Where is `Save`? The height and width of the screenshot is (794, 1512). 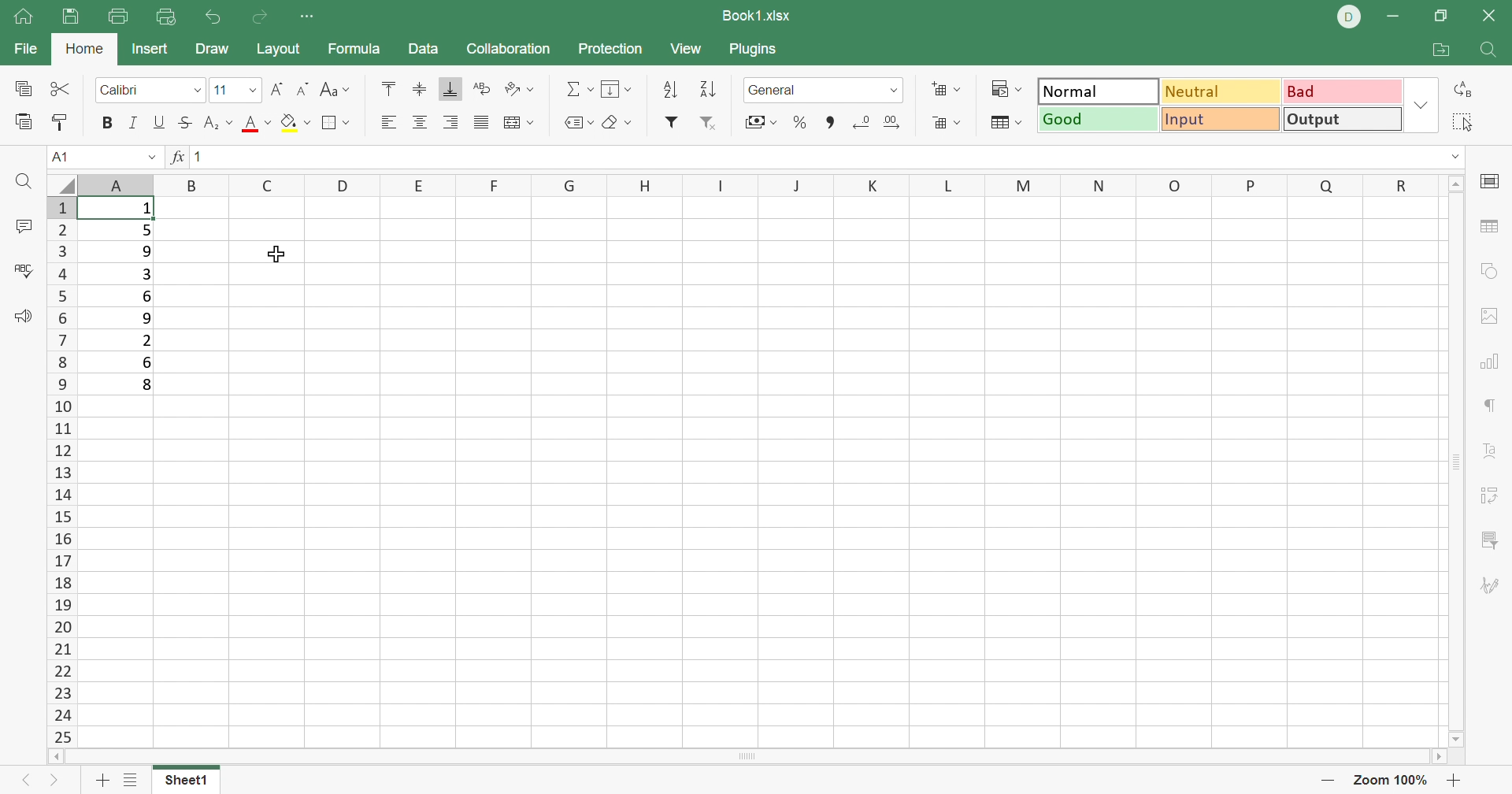 Save is located at coordinates (72, 17).